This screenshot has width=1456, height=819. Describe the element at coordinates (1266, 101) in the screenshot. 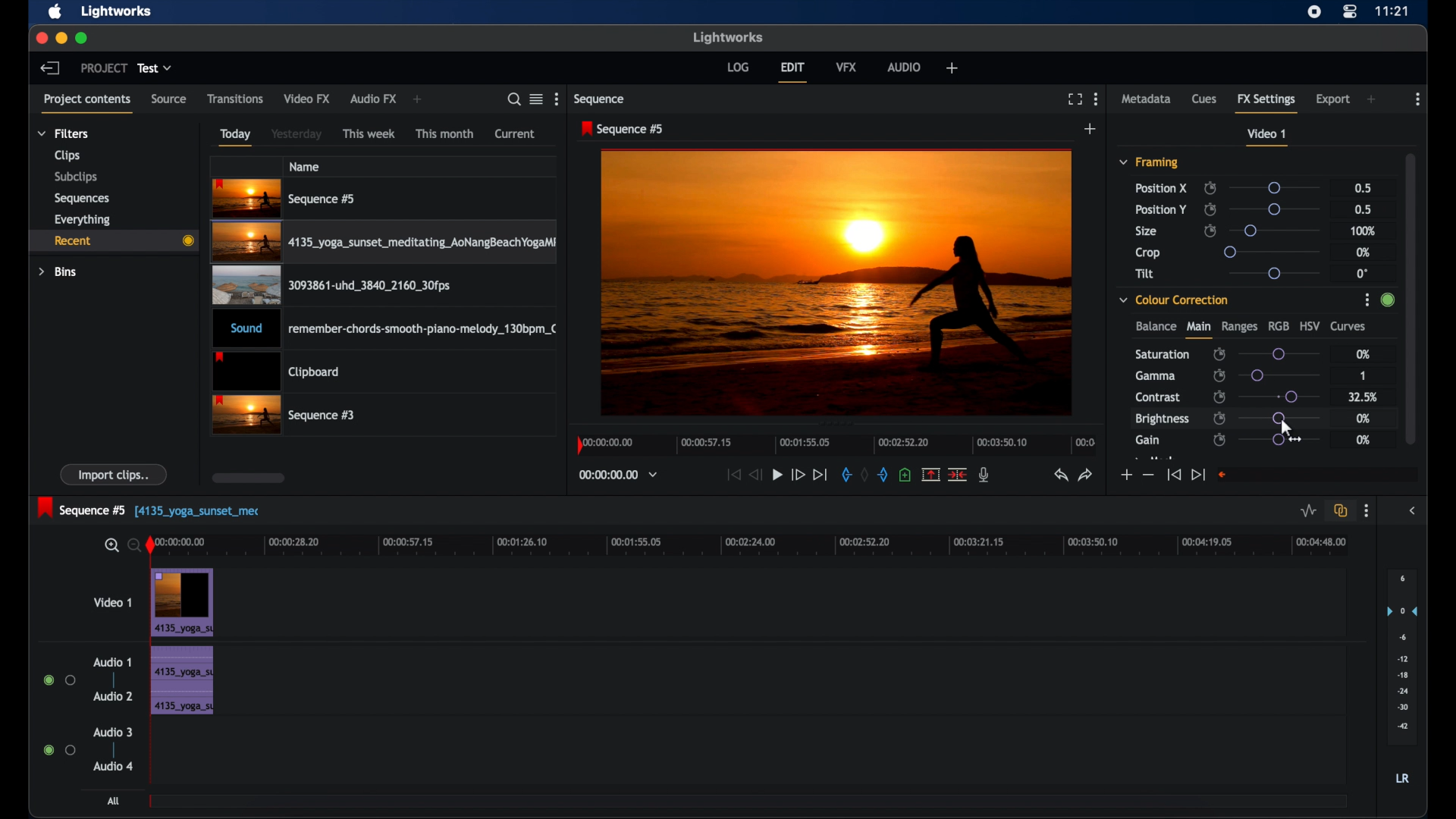

I see `fx settings` at that location.